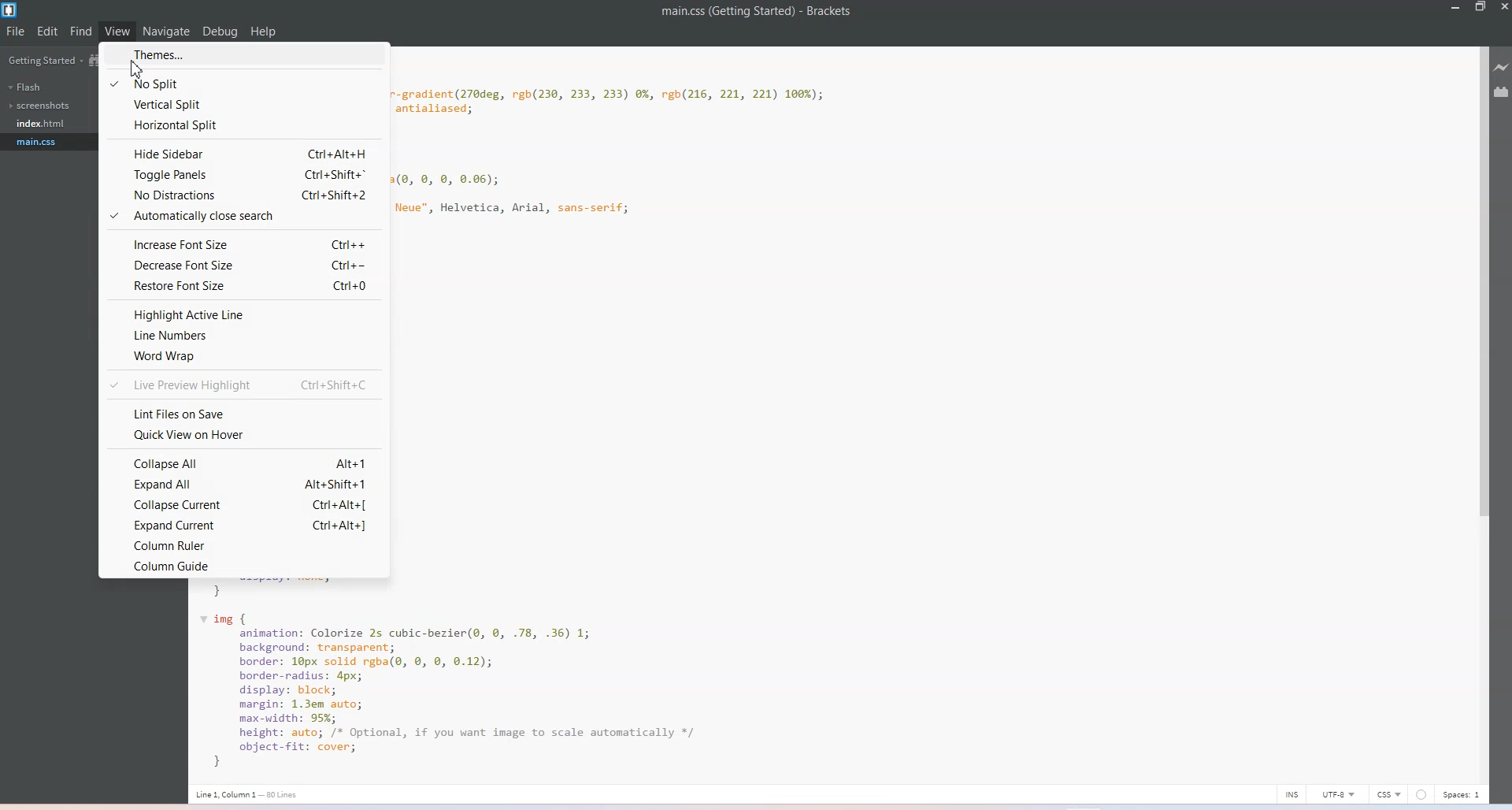 The width and height of the screenshot is (1512, 810). What do you see at coordinates (244, 434) in the screenshot?
I see `Quick view on Hoover` at bounding box center [244, 434].